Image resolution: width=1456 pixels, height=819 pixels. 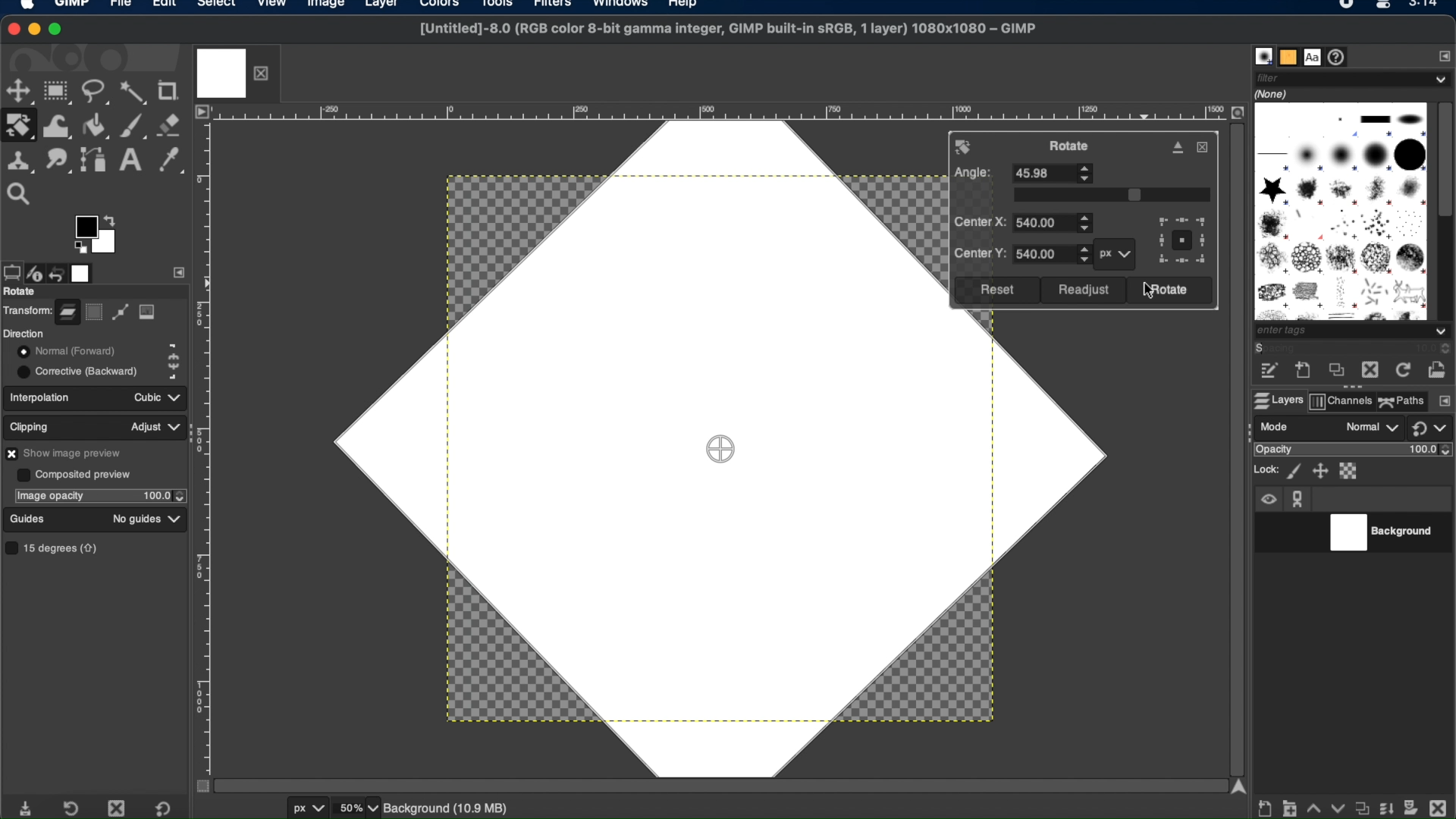 What do you see at coordinates (1235, 445) in the screenshot?
I see `scroll bar` at bounding box center [1235, 445].